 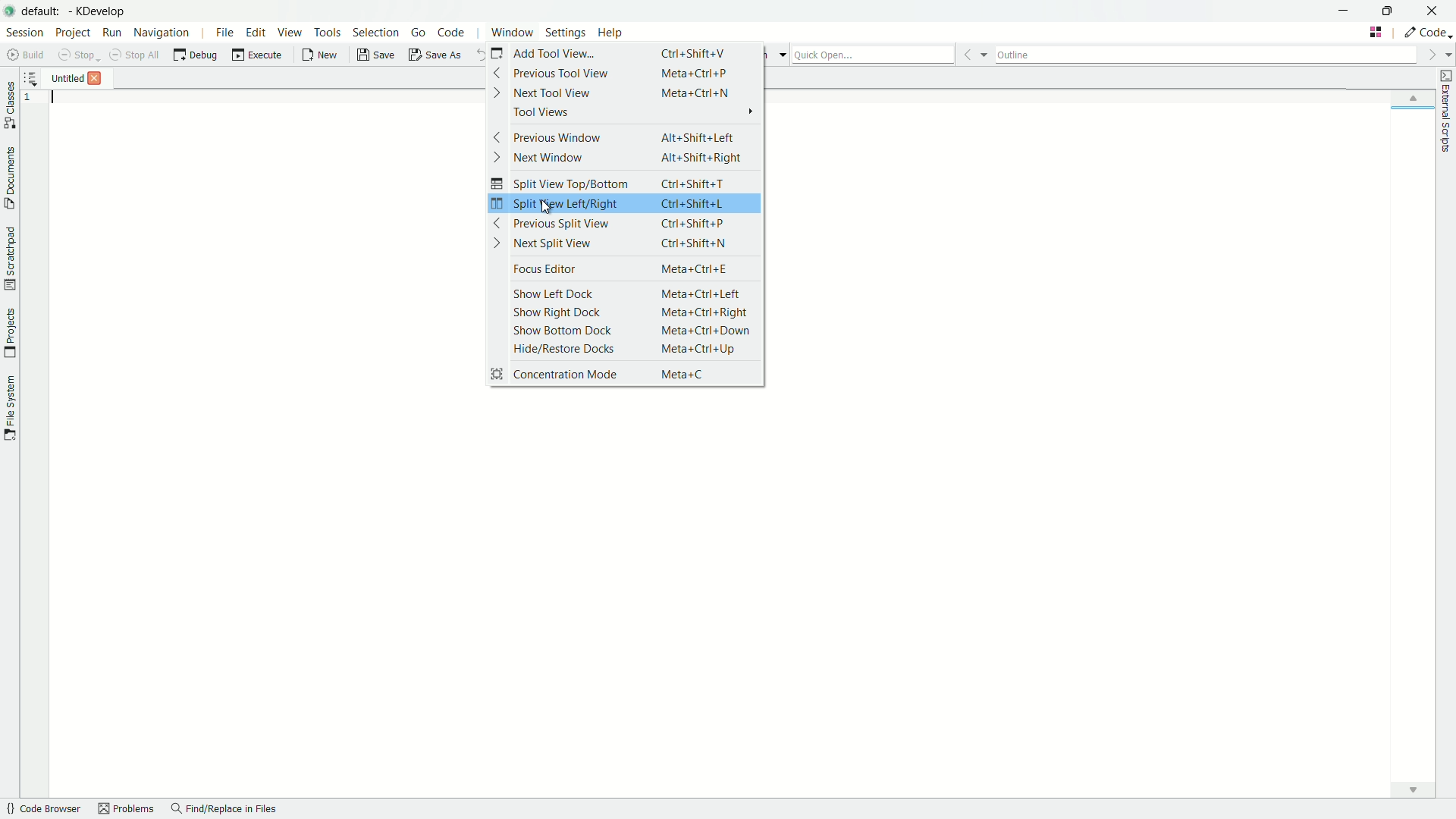 What do you see at coordinates (696, 267) in the screenshot?
I see `Meta+Ctrl+E` at bounding box center [696, 267].